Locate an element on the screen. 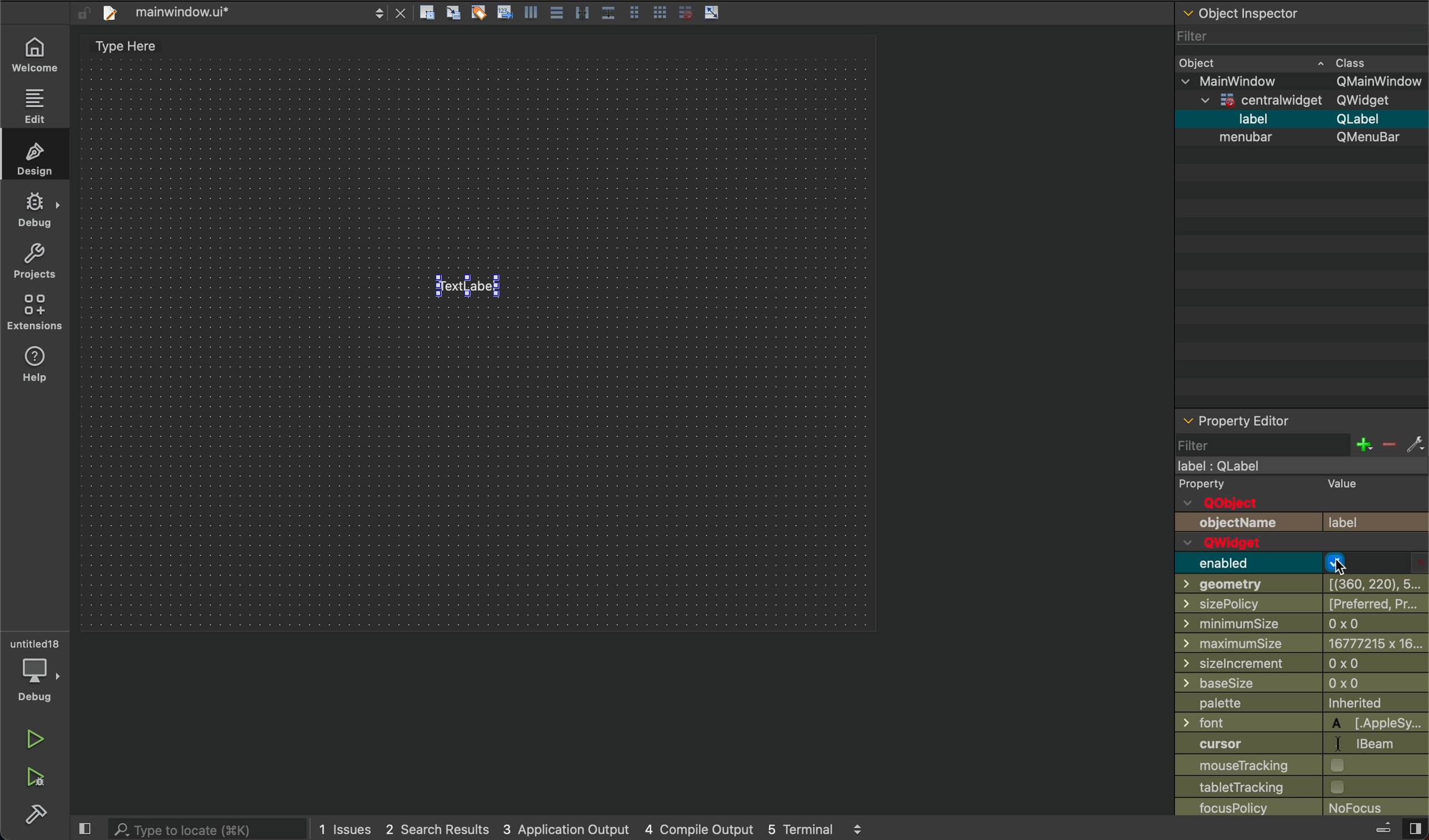 This screenshot has width=1429, height=840. focusPolicy is located at coordinates (1247, 807).